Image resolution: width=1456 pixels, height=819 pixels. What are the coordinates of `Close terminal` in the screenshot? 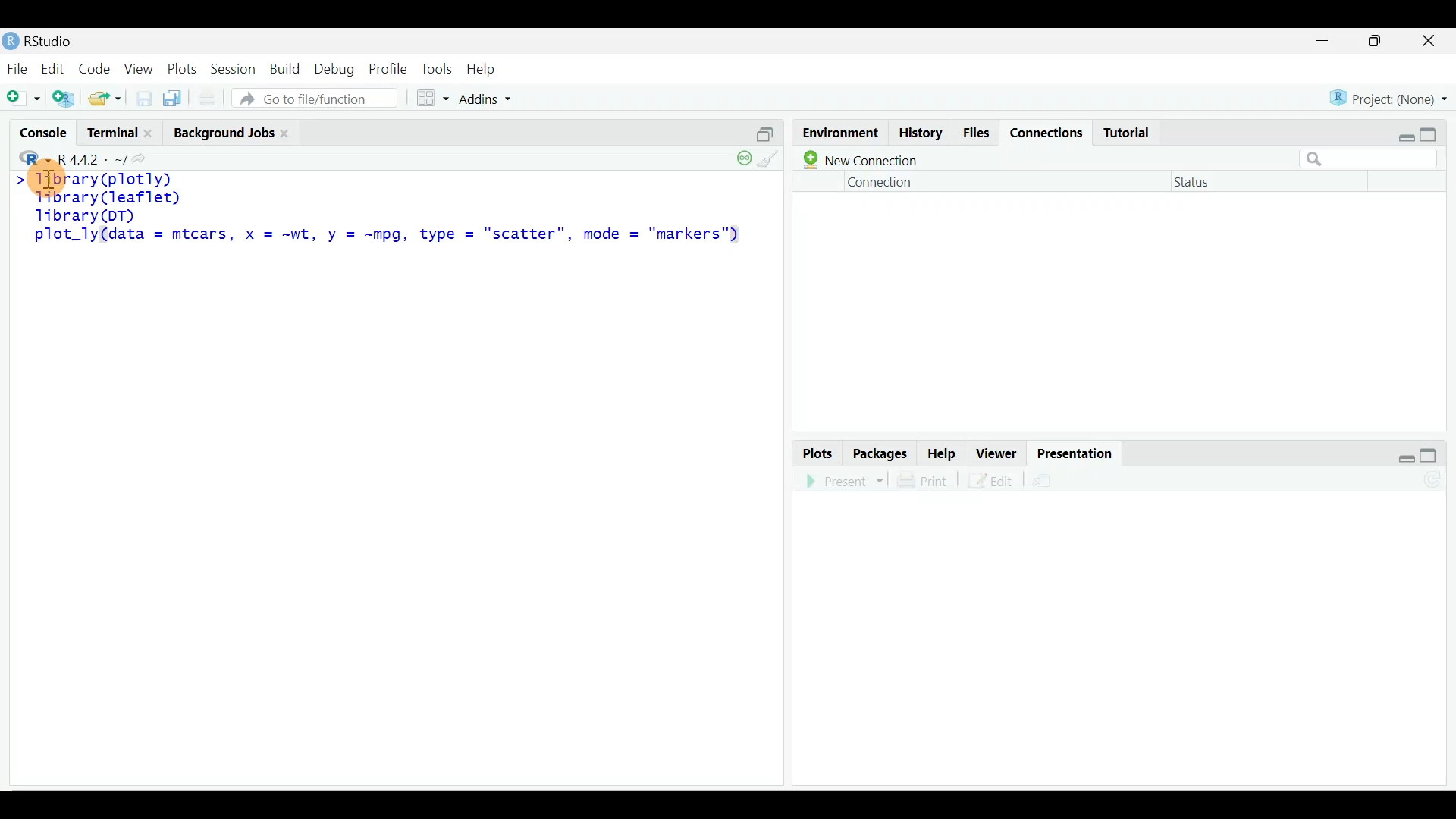 It's located at (154, 134).